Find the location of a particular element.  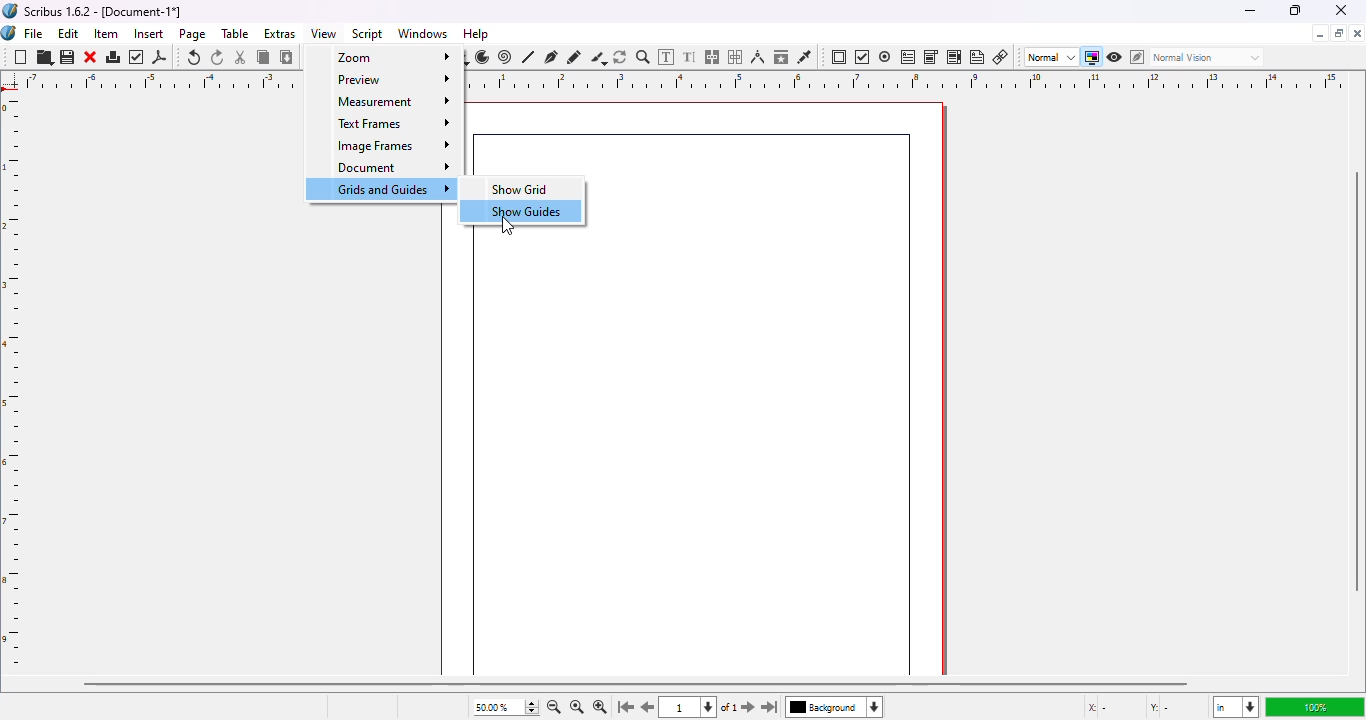

windows is located at coordinates (423, 34).